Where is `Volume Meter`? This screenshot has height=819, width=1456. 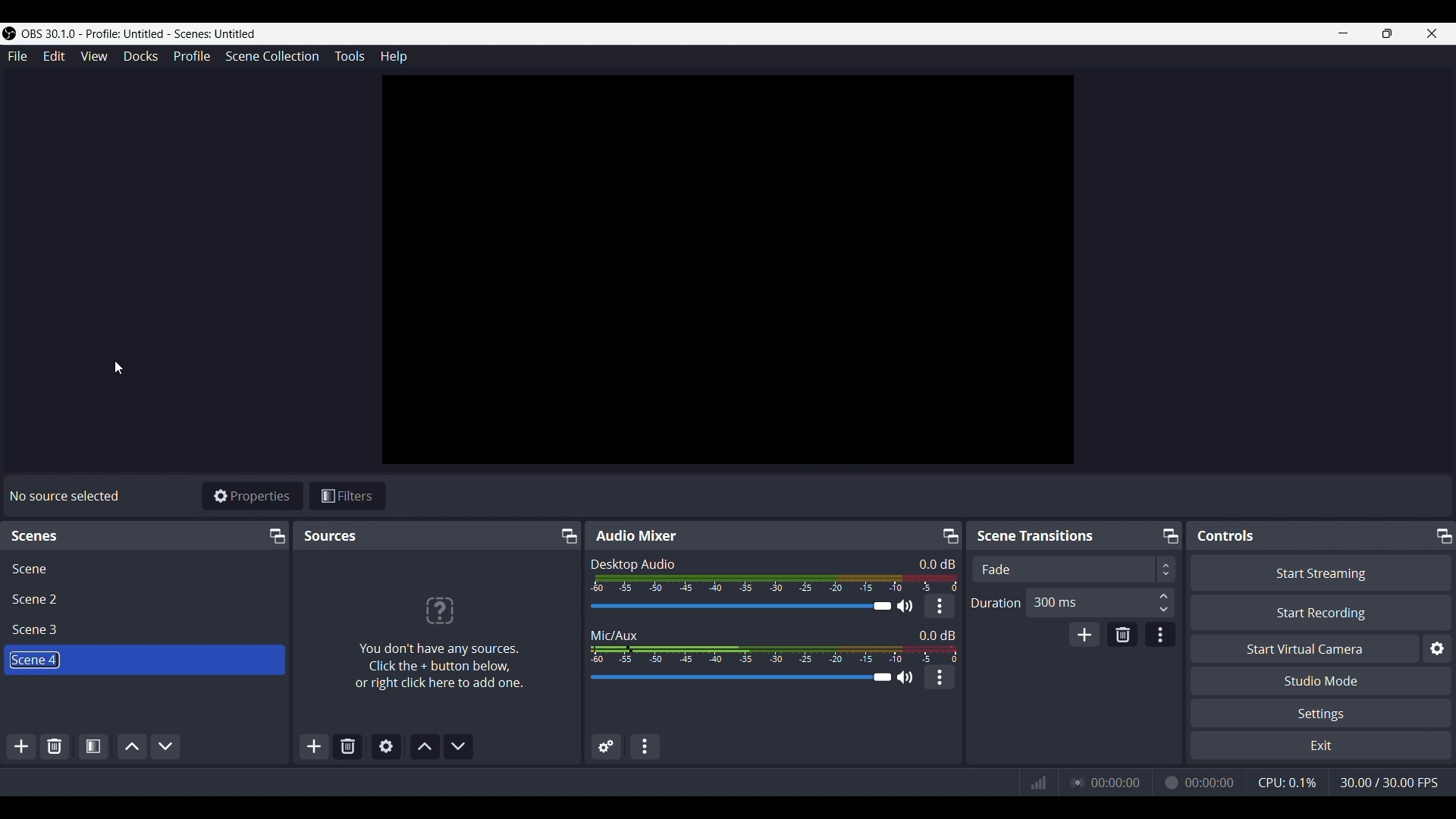 Volume Meter is located at coordinates (773, 654).